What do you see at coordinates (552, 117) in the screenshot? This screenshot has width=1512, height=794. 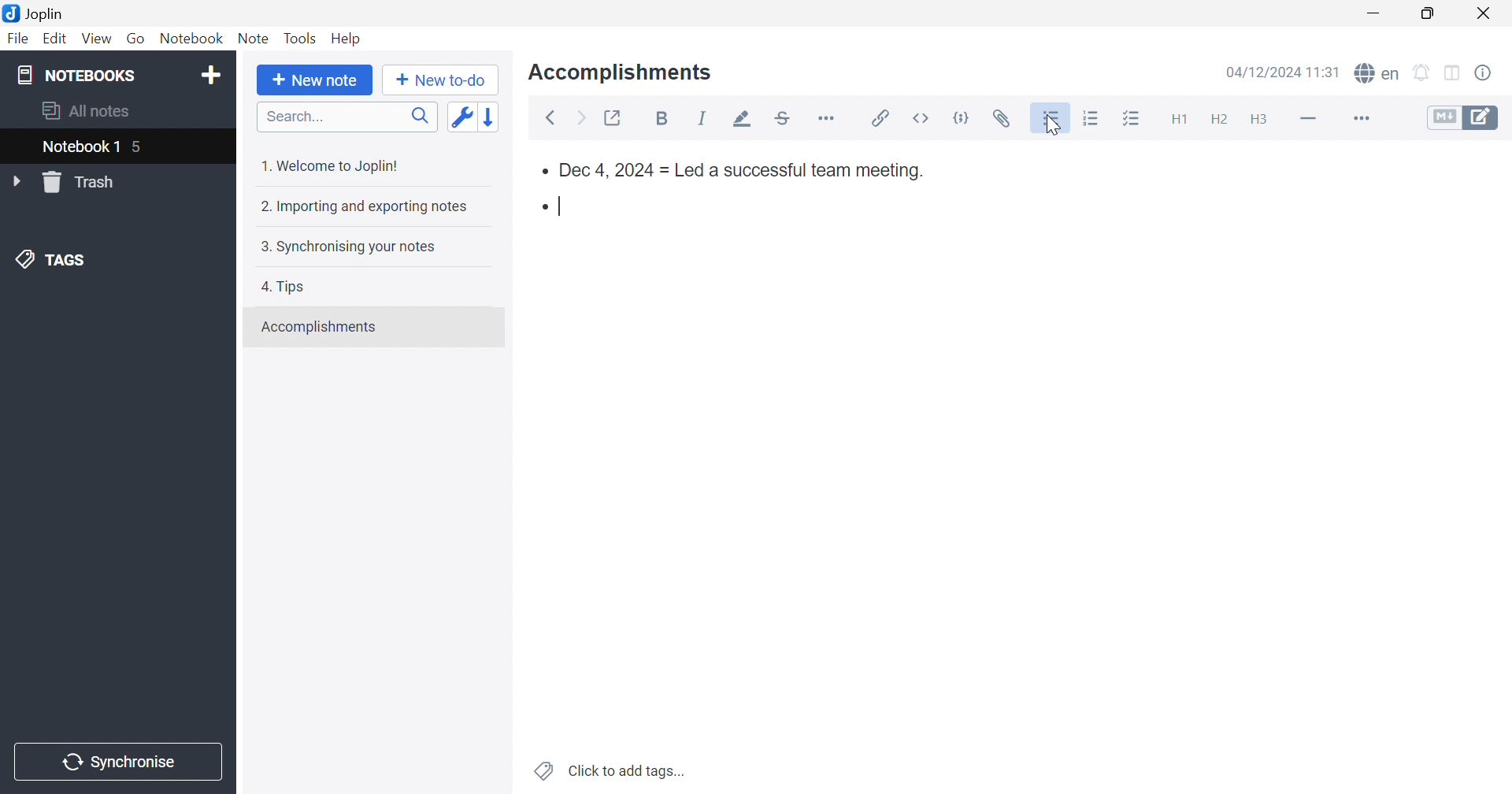 I see `Back` at bounding box center [552, 117].